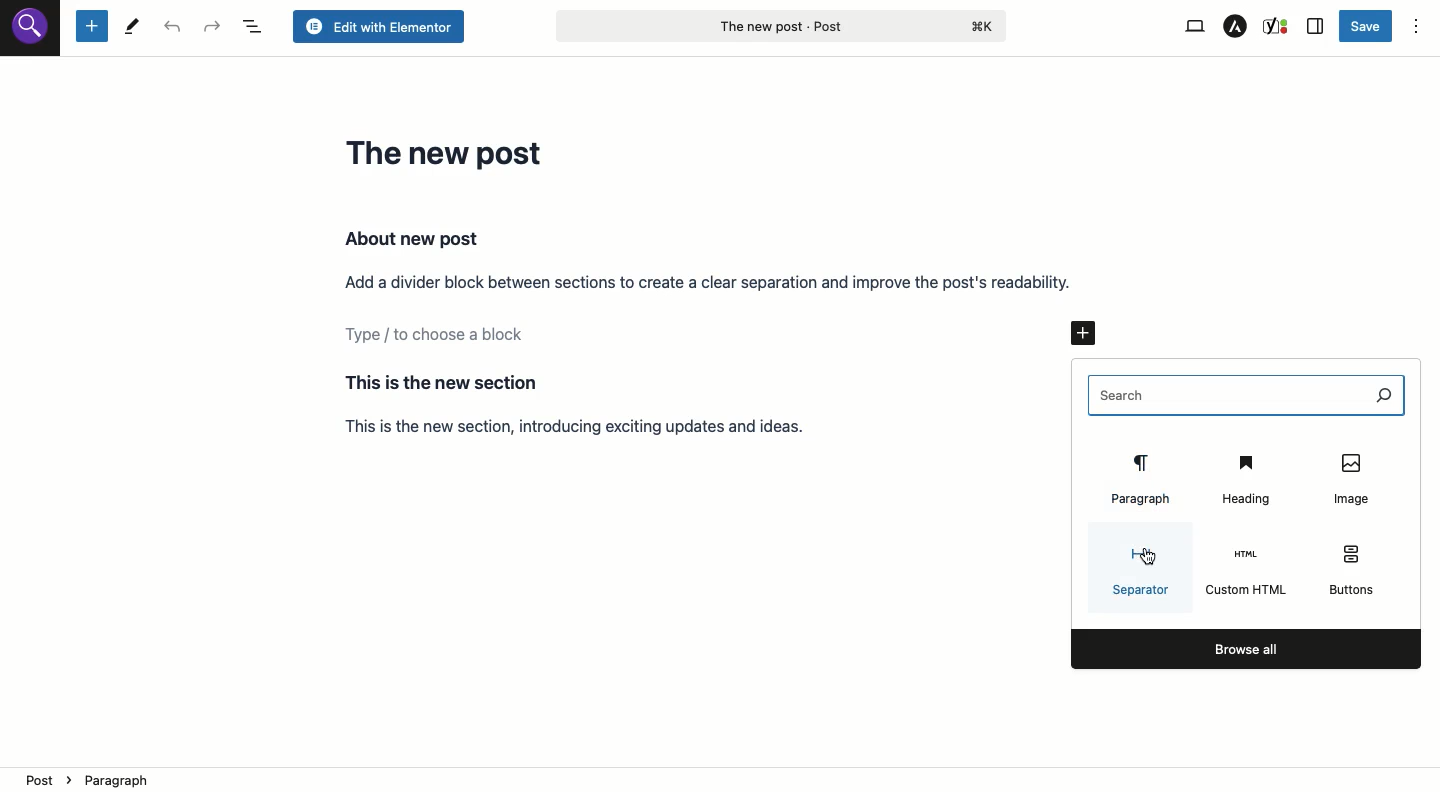 Image resolution: width=1440 pixels, height=792 pixels. What do you see at coordinates (1089, 331) in the screenshot?
I see `Add new block` at bounding box center [1089, 331].